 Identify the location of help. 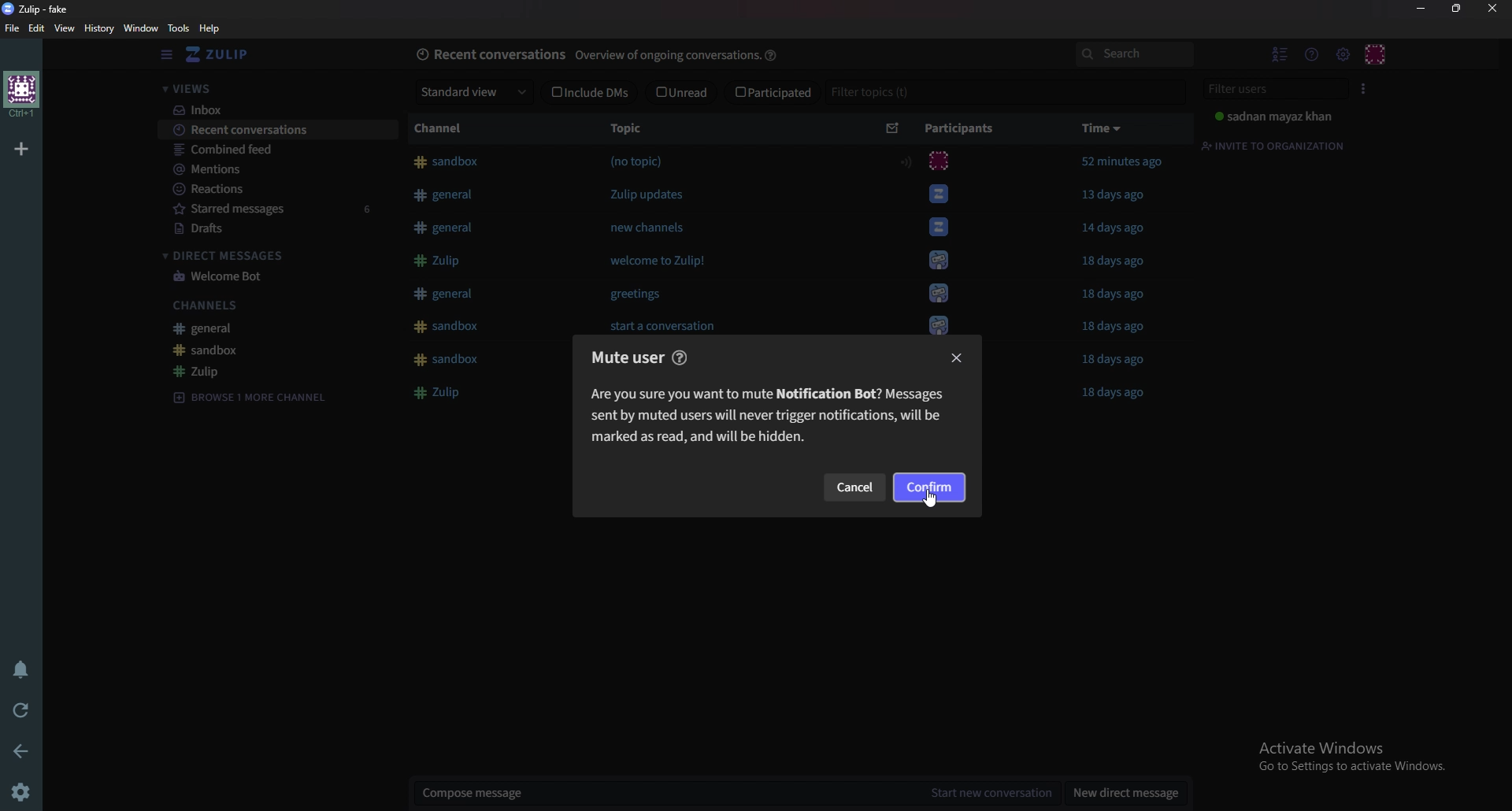
(773, 54).